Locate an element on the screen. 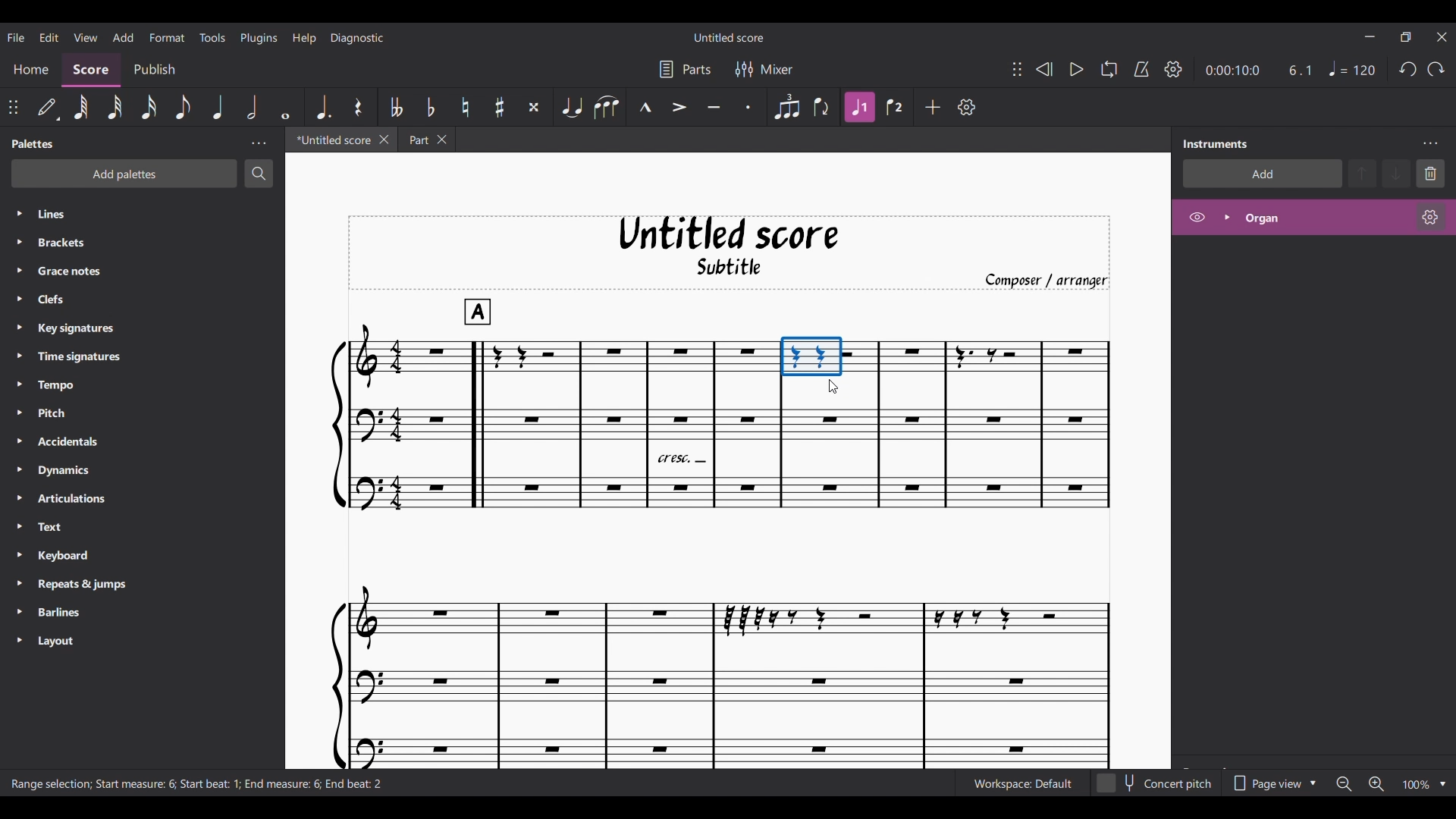 Image resolution: width=1456 pixels, height=819 pixels. Half note is located at coordinates (251, 106).